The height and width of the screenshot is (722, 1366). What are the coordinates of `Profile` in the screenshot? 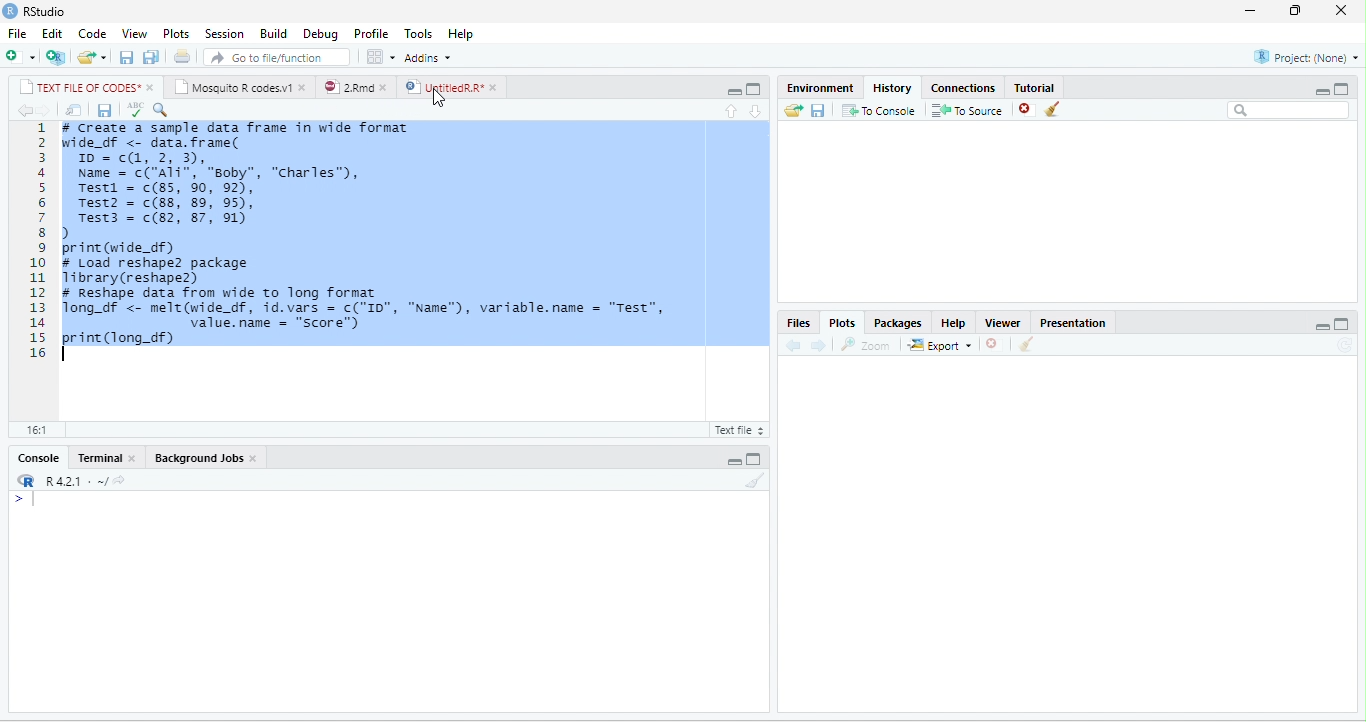 It's located at (371, 34).